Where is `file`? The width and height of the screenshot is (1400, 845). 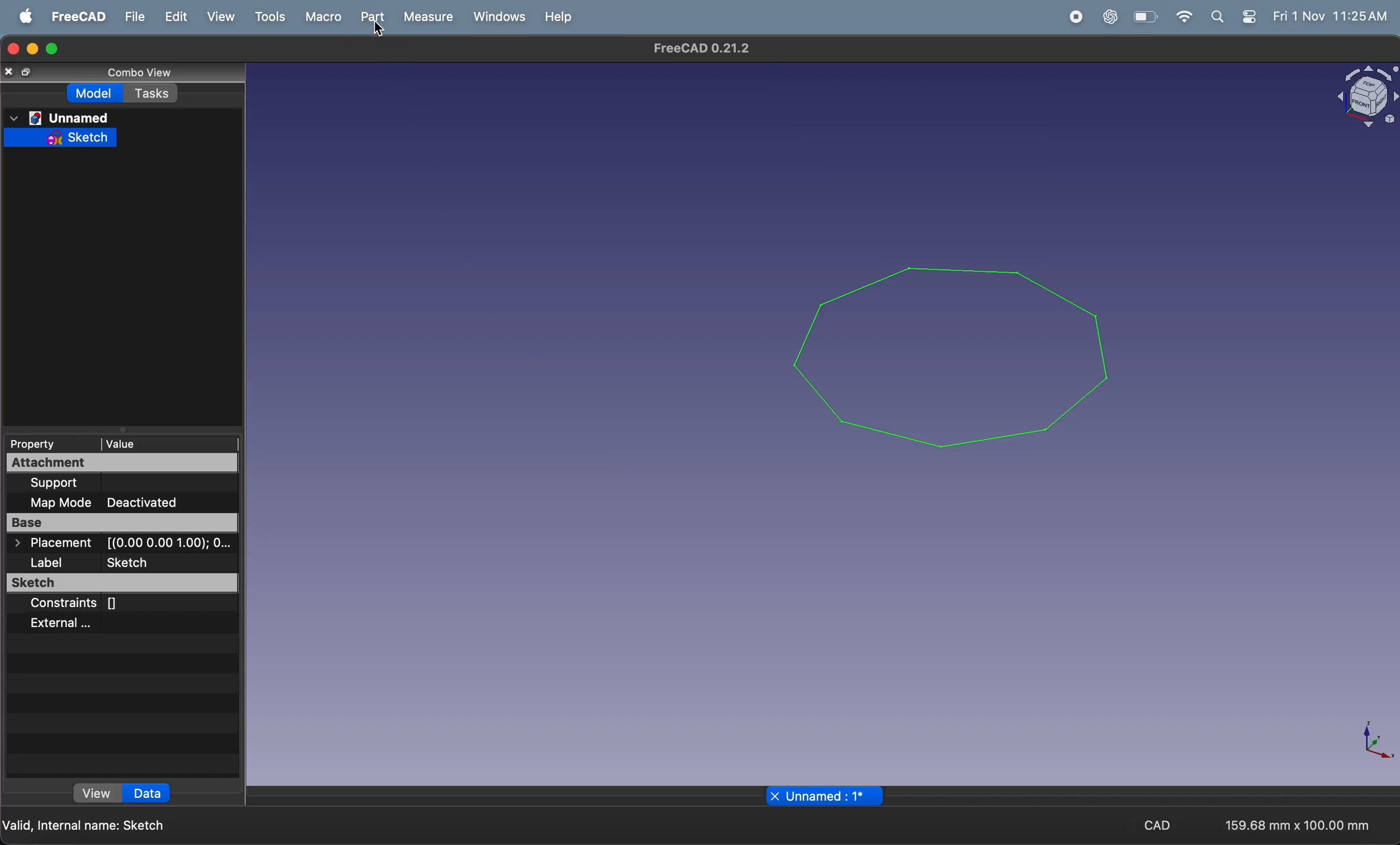 file is located at coordinates (130, 18).